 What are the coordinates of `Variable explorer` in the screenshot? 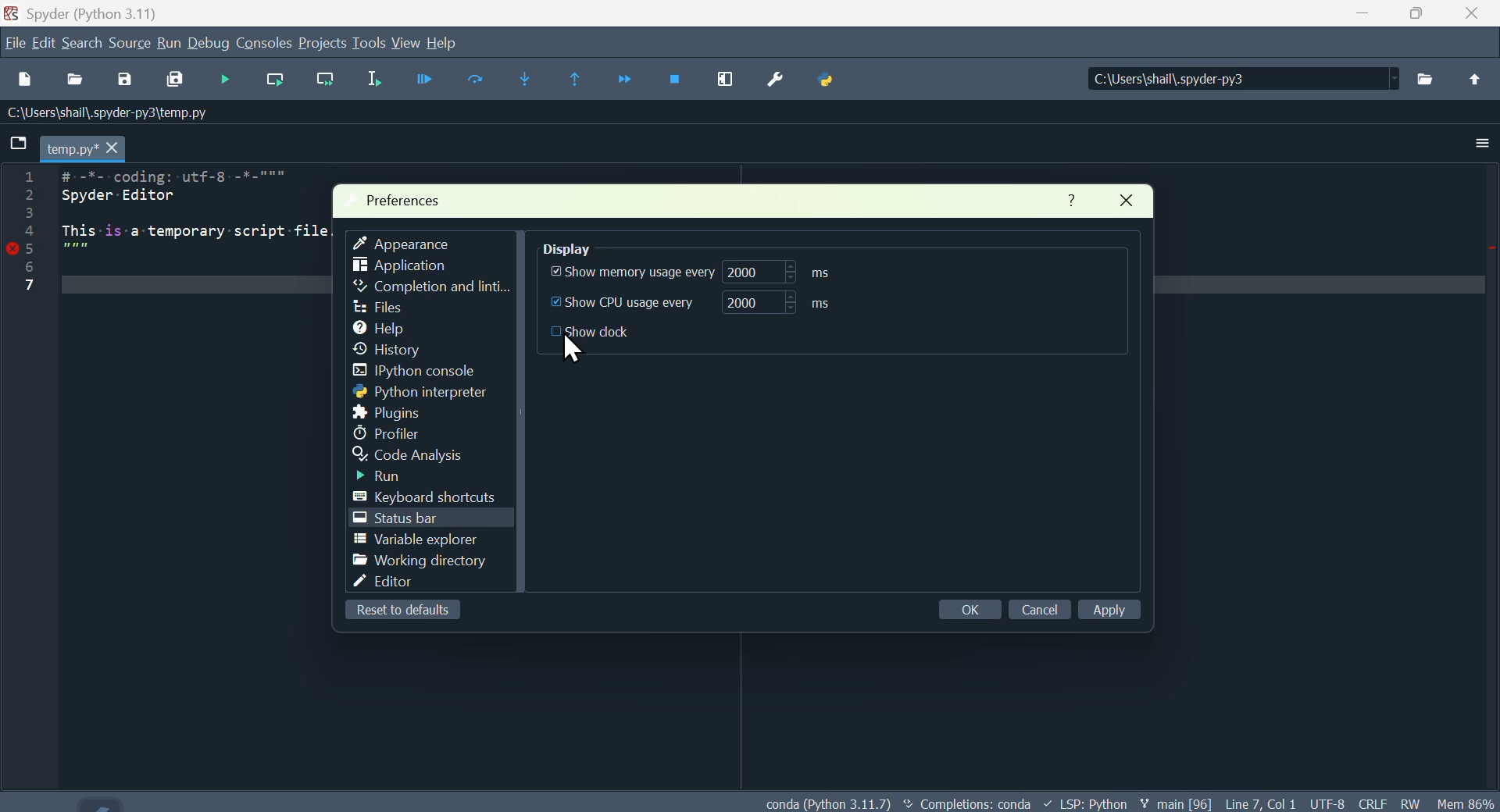 It's located at (417, 541).